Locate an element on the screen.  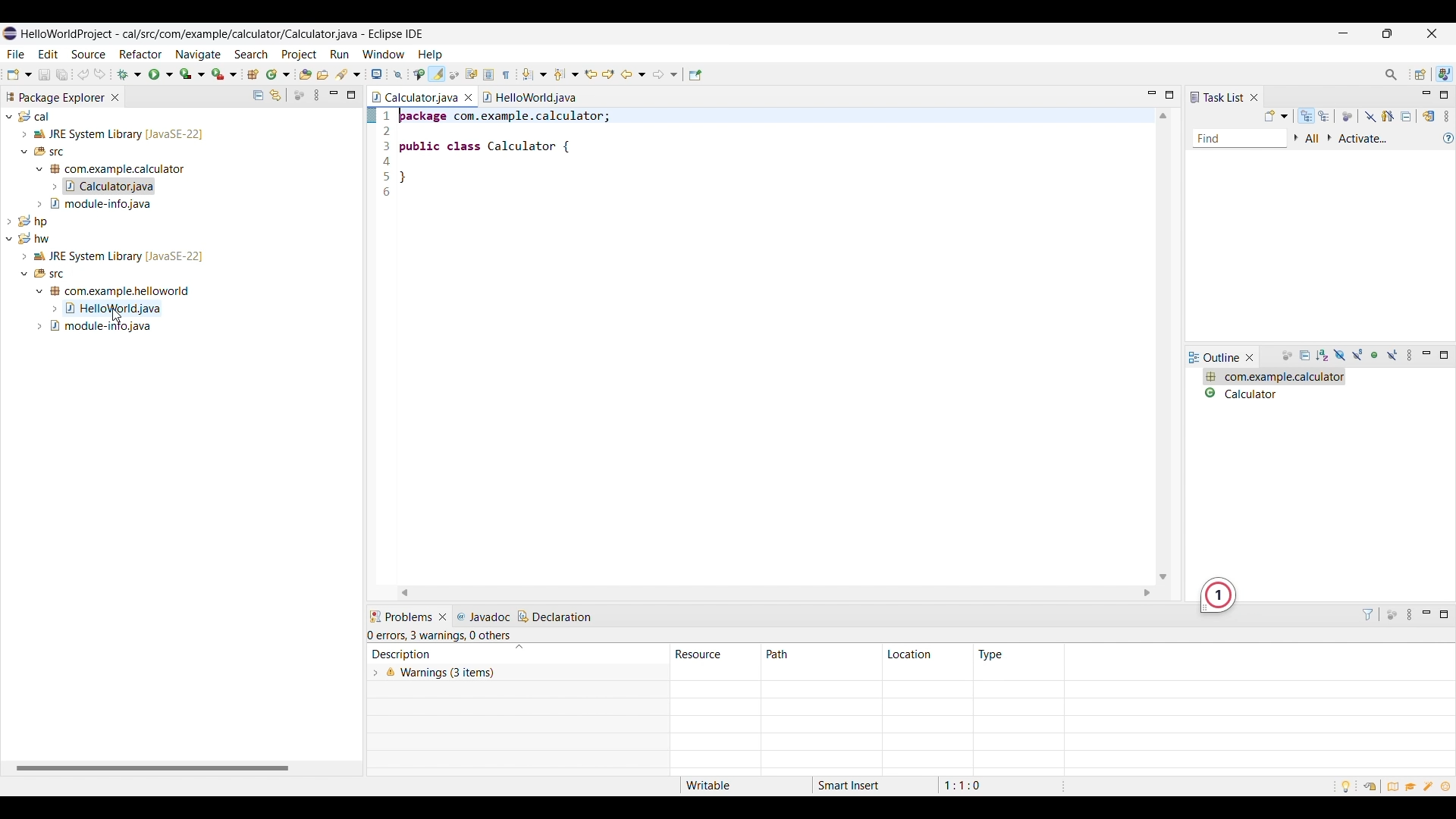
Synchronize changed is located at coordinates (1430, 116).